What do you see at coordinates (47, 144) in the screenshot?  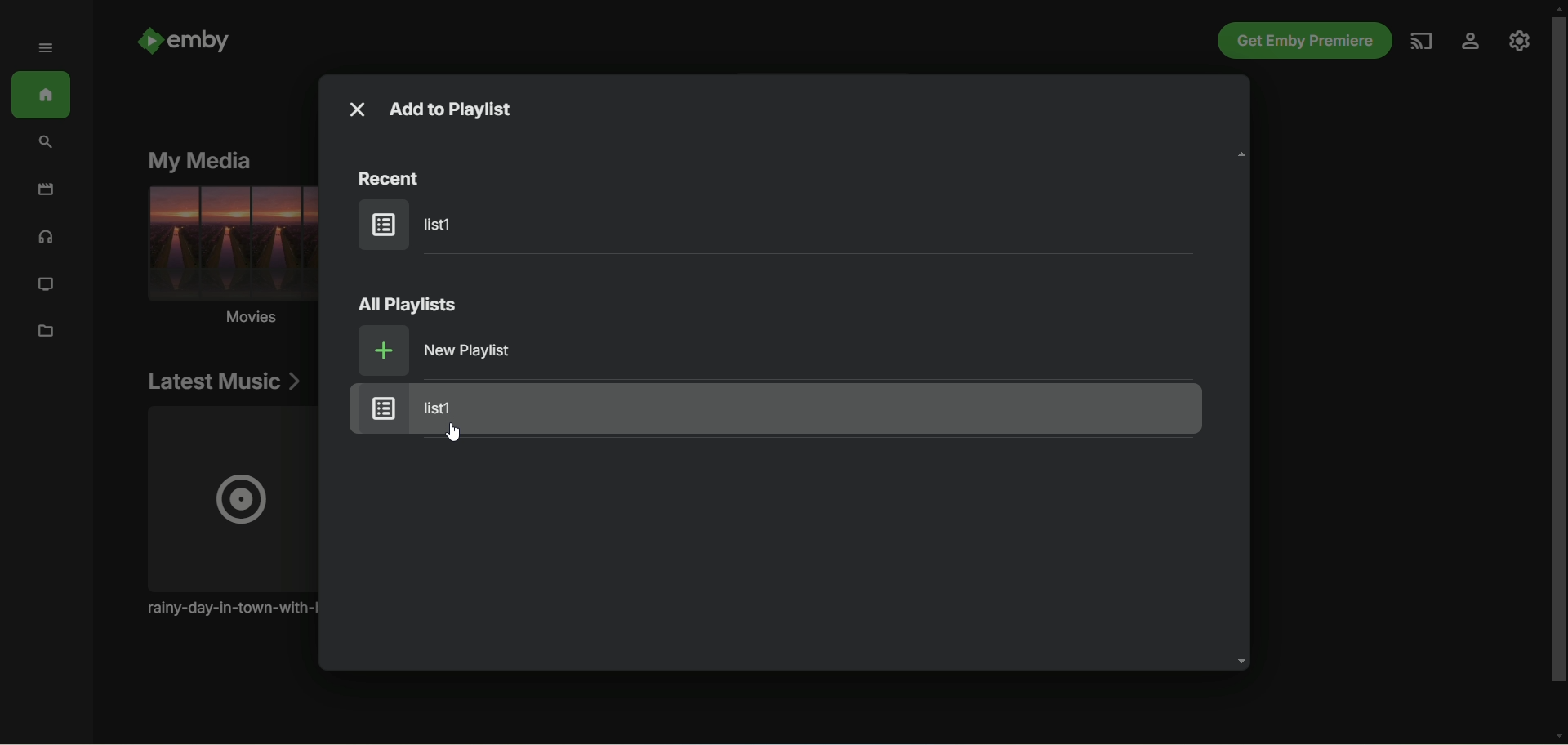 I see `search` at bounding box center [47, 144].